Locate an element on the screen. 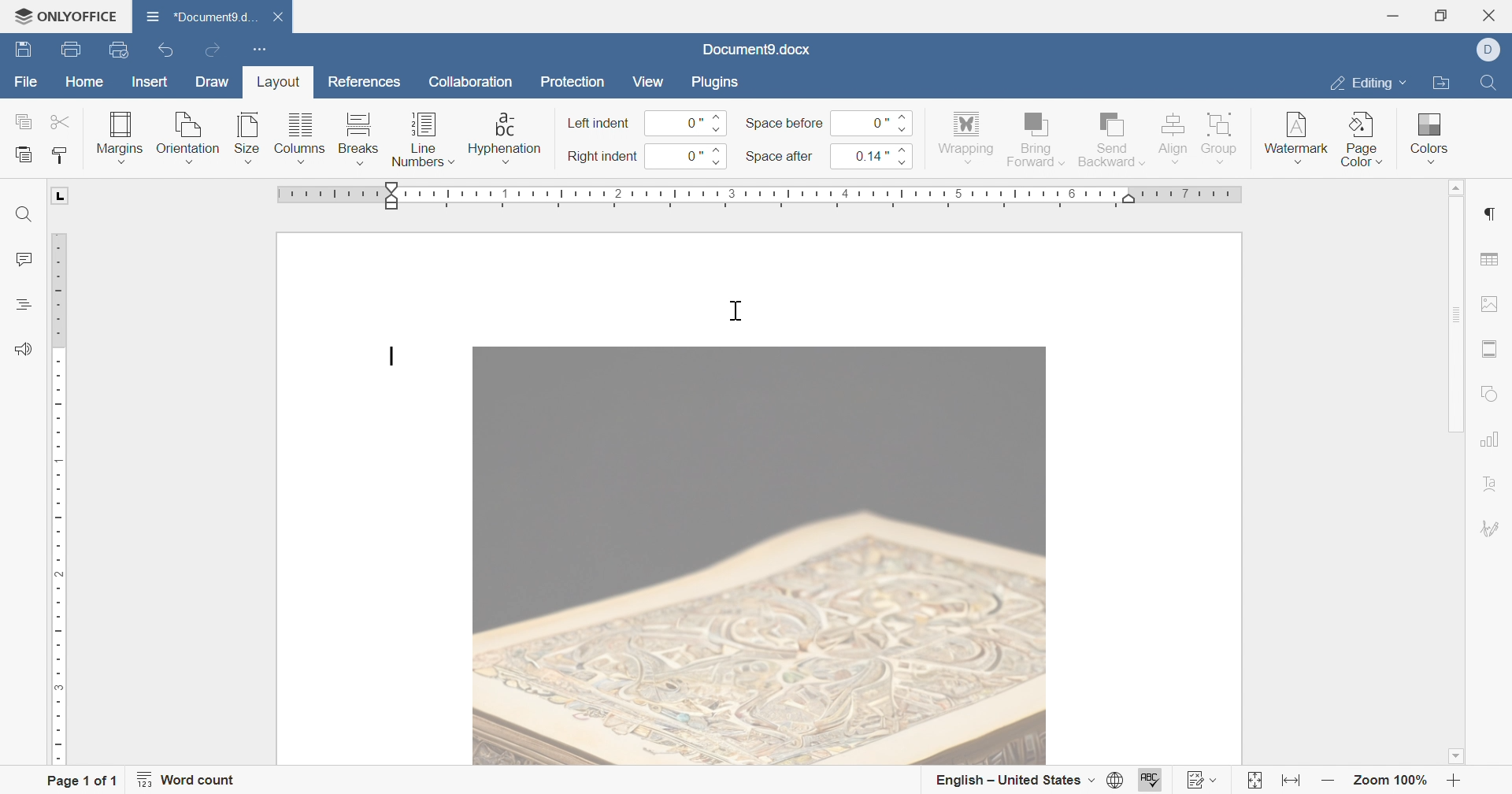 This screenshot has width=1512, height=794. collaboration is located at coordinates (473, 86).